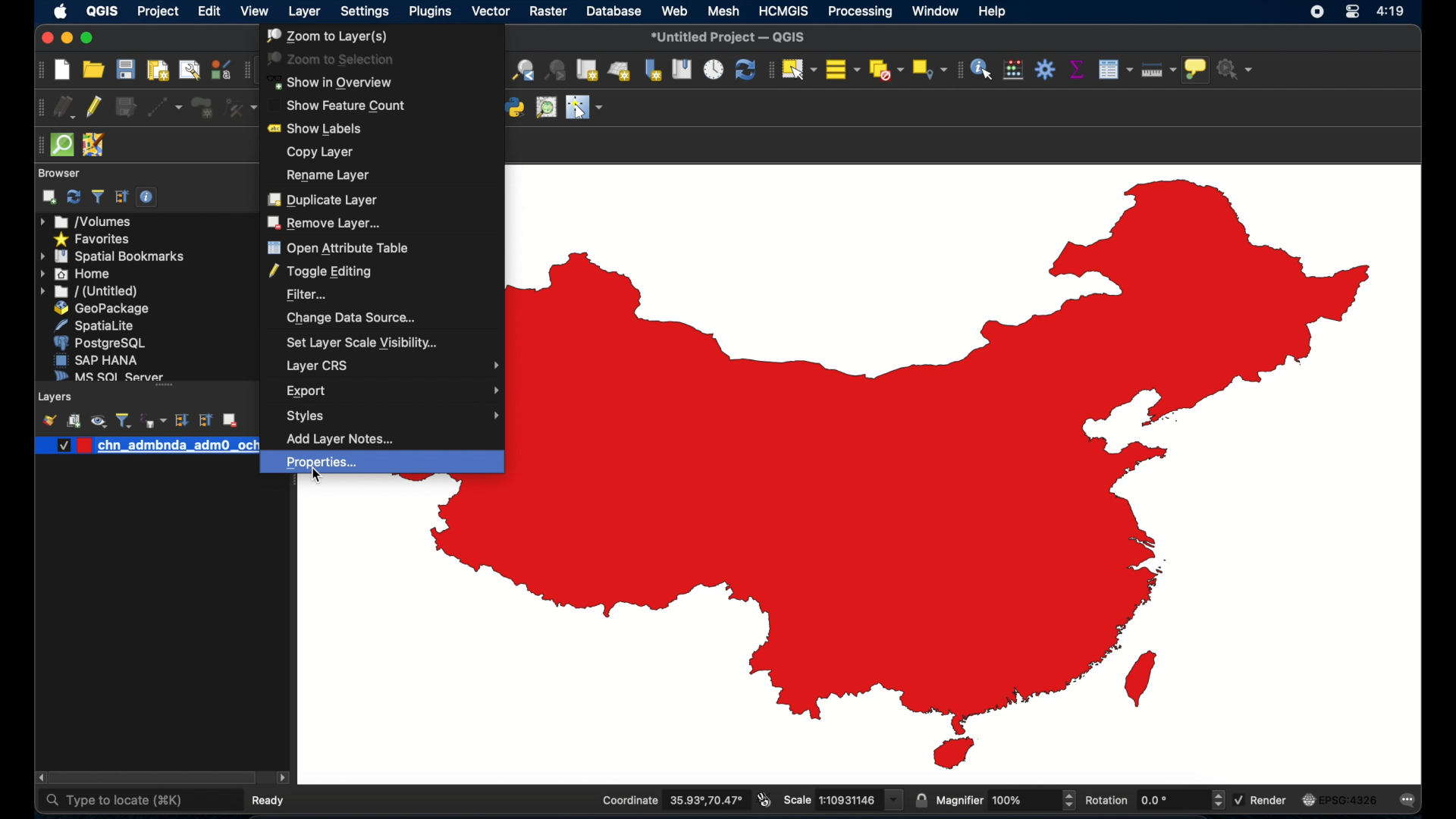 The image size is (1456, 819). What do you see at coordinates (59, 11) in the screenshot?
I see `apple icon` at bounding box center [59, 11].